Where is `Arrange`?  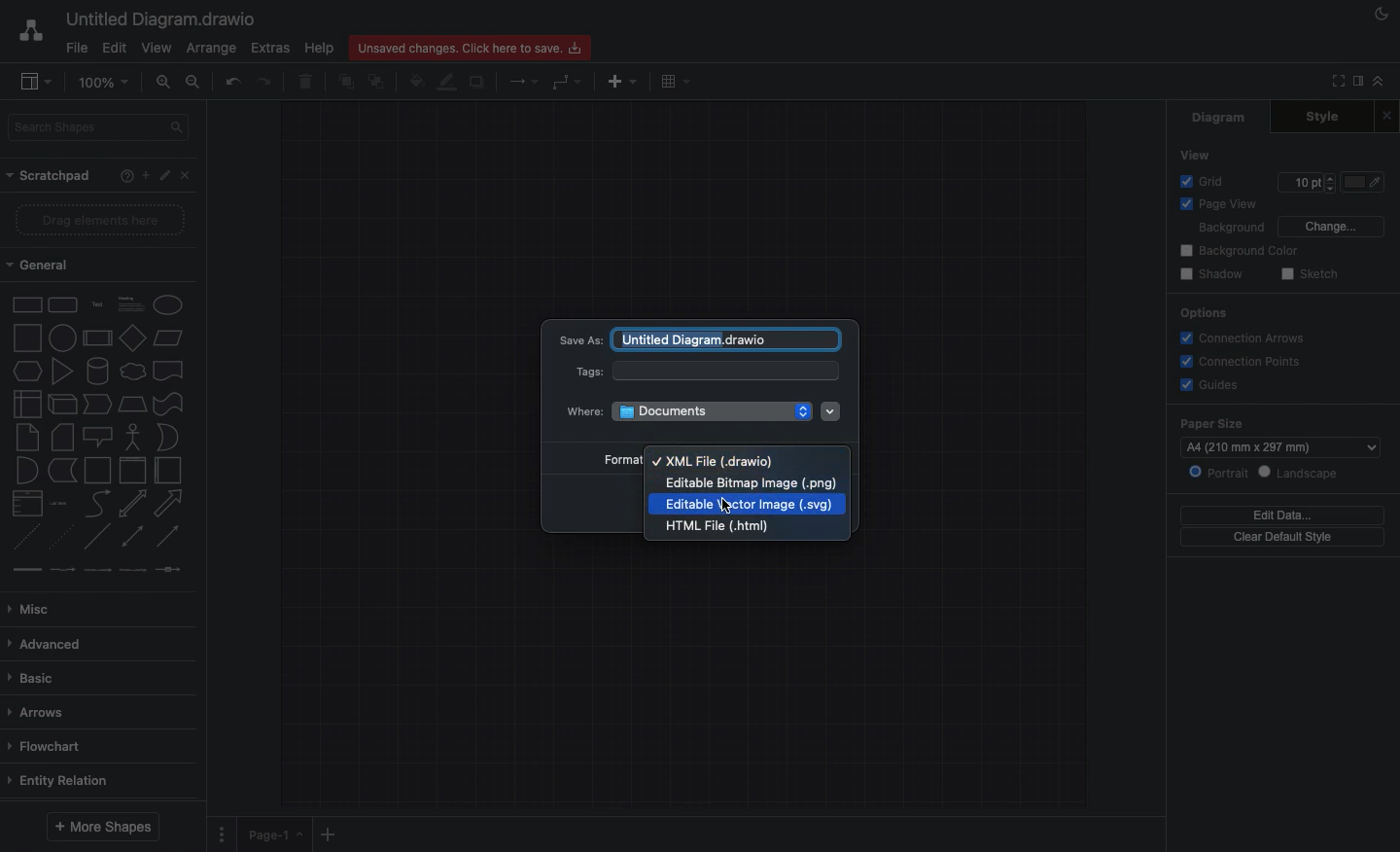 Arrange is located at coordinates (211, 50).